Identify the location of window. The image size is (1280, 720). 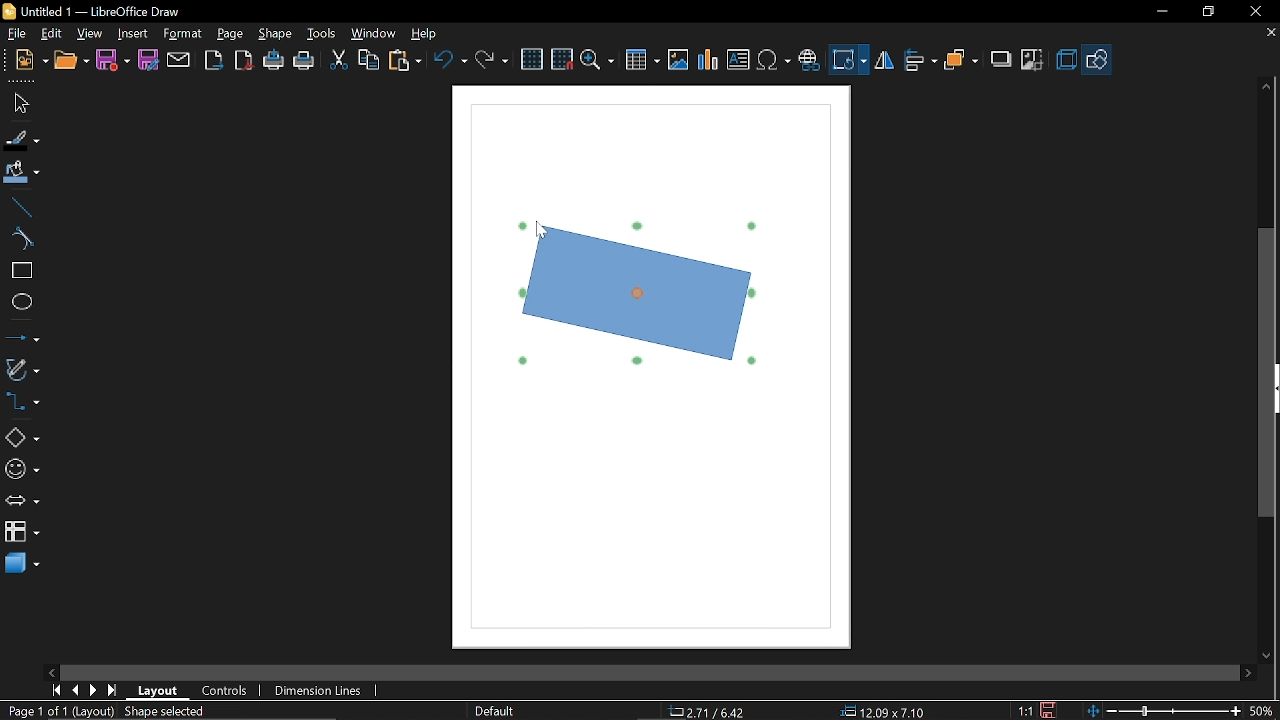
(374, 36).